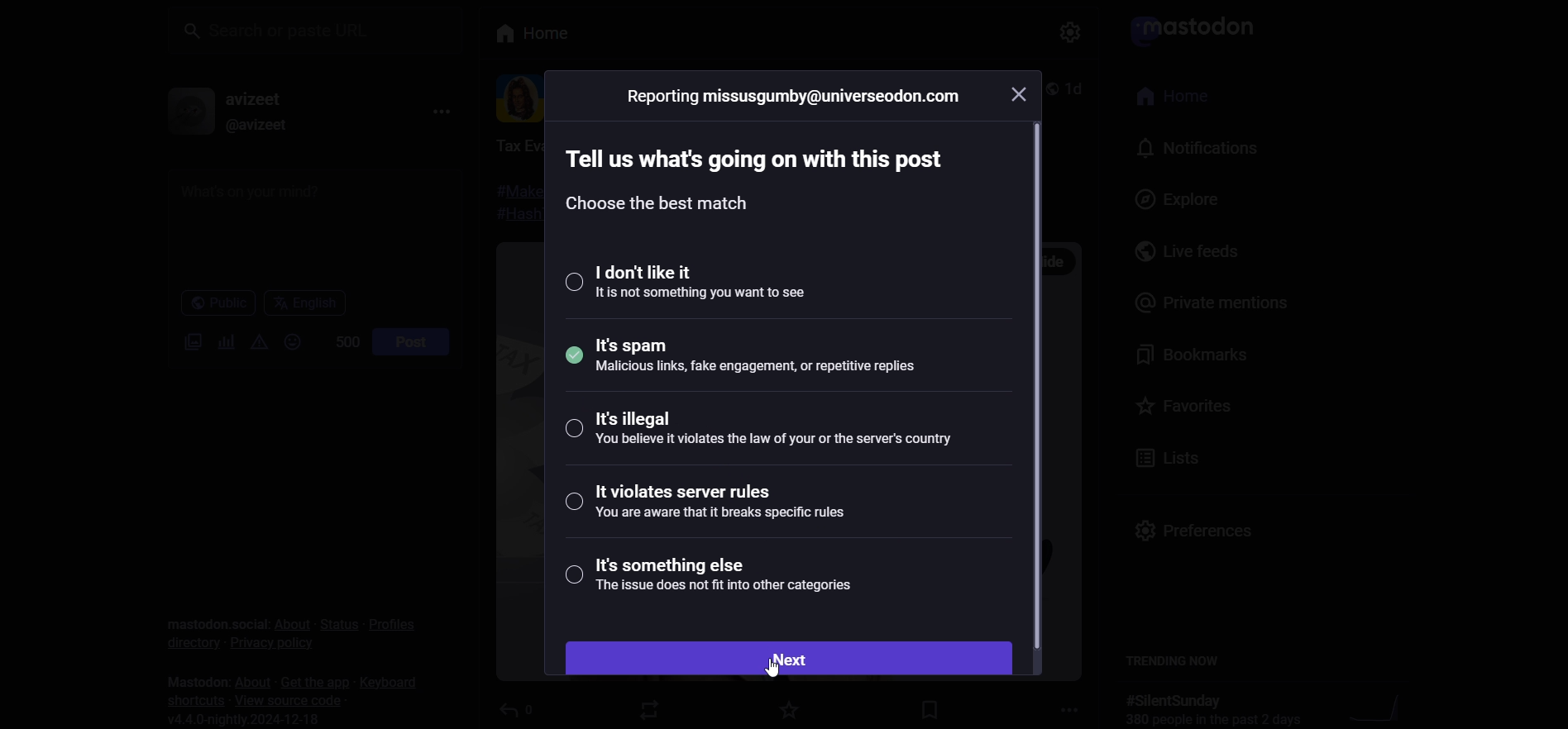 The width and height of the screenshot is (1568, 729). I want to click on scroll bar, so click(1031, 386).